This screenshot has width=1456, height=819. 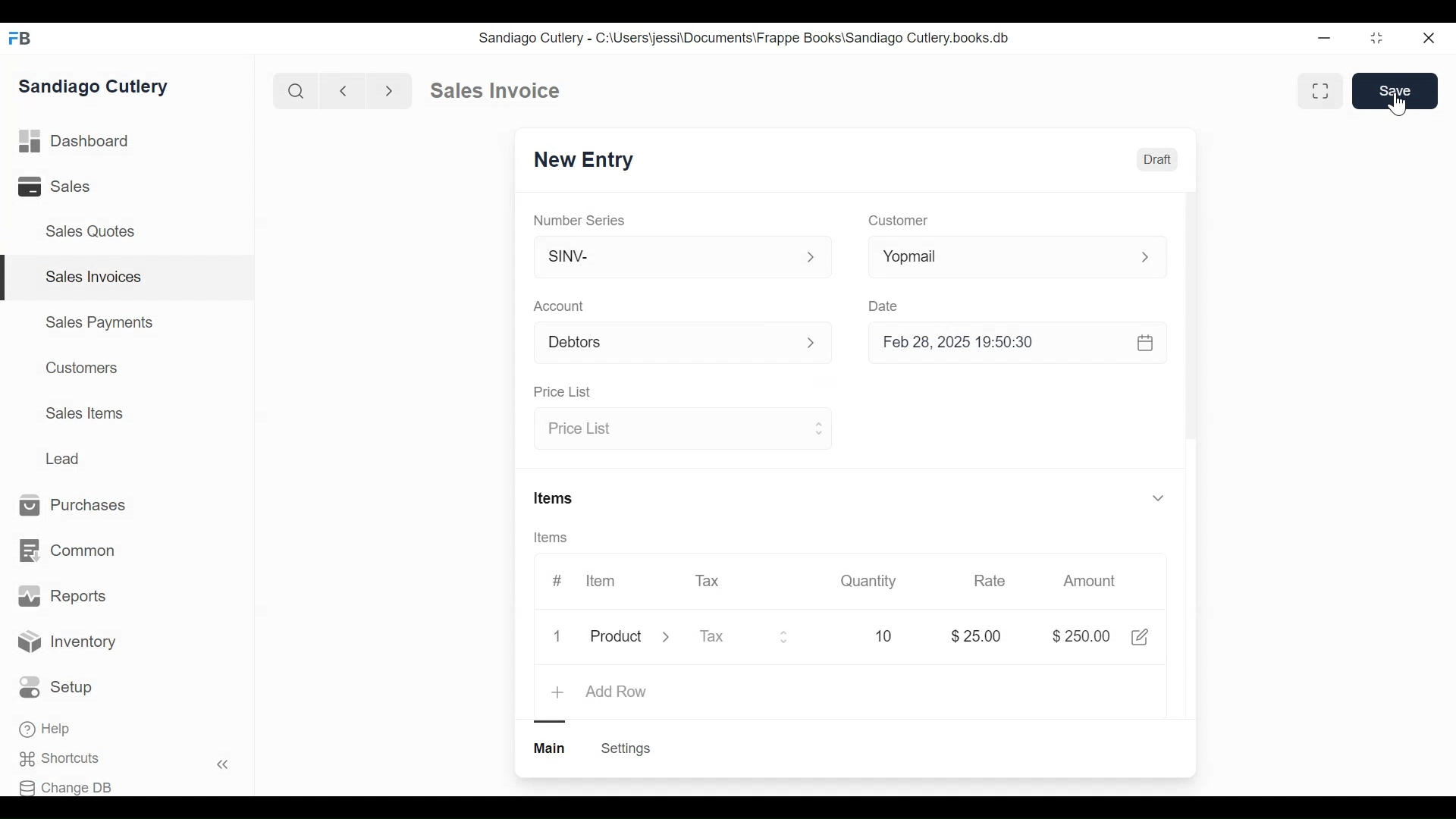 What do you see at coordinates (579, 162) in the screenshot?
I see `New Entry` at bounding box center [579, 162].